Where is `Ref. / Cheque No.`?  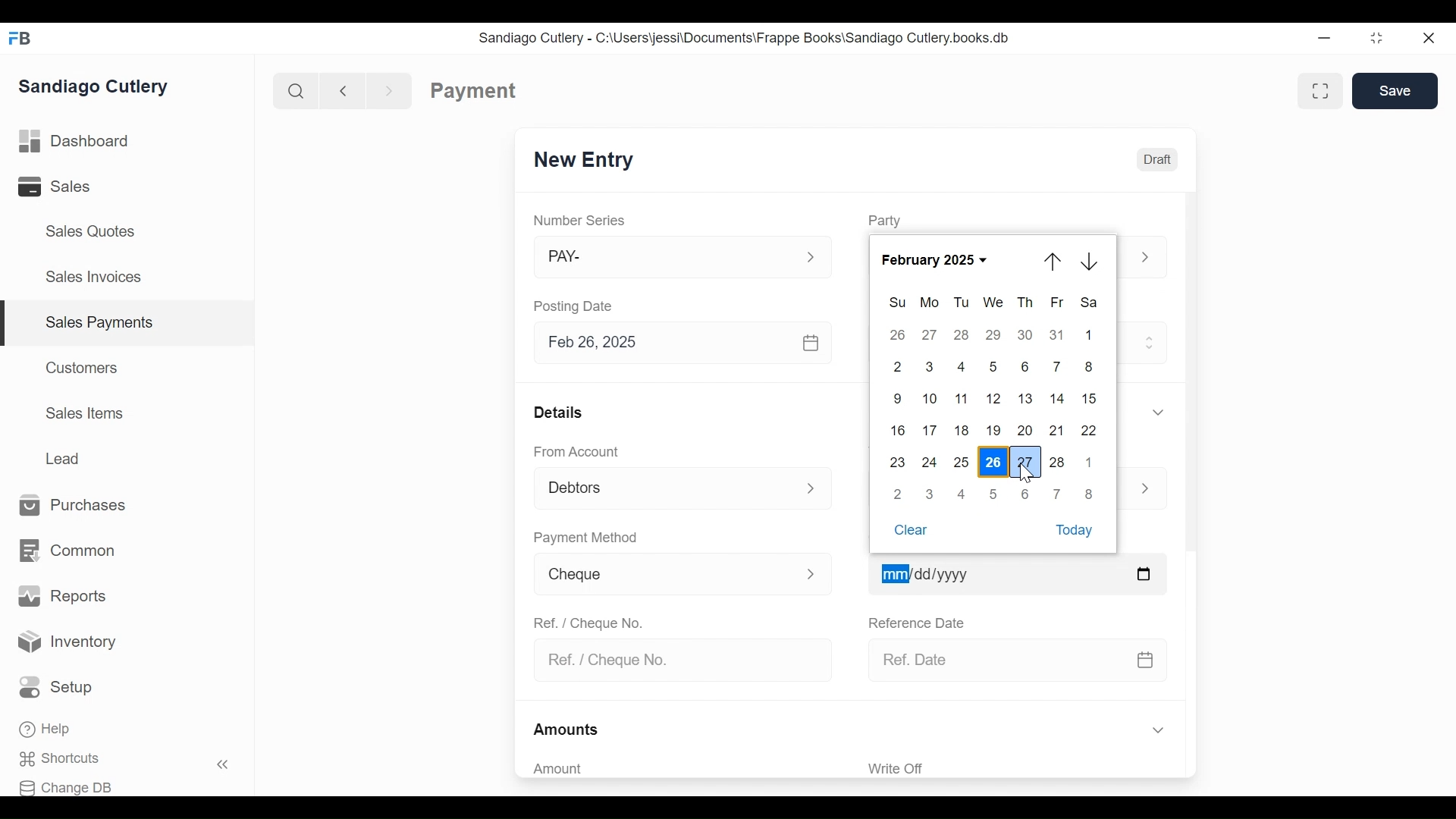
Ref. / Cheque No. is located at coordinates (587, 622).